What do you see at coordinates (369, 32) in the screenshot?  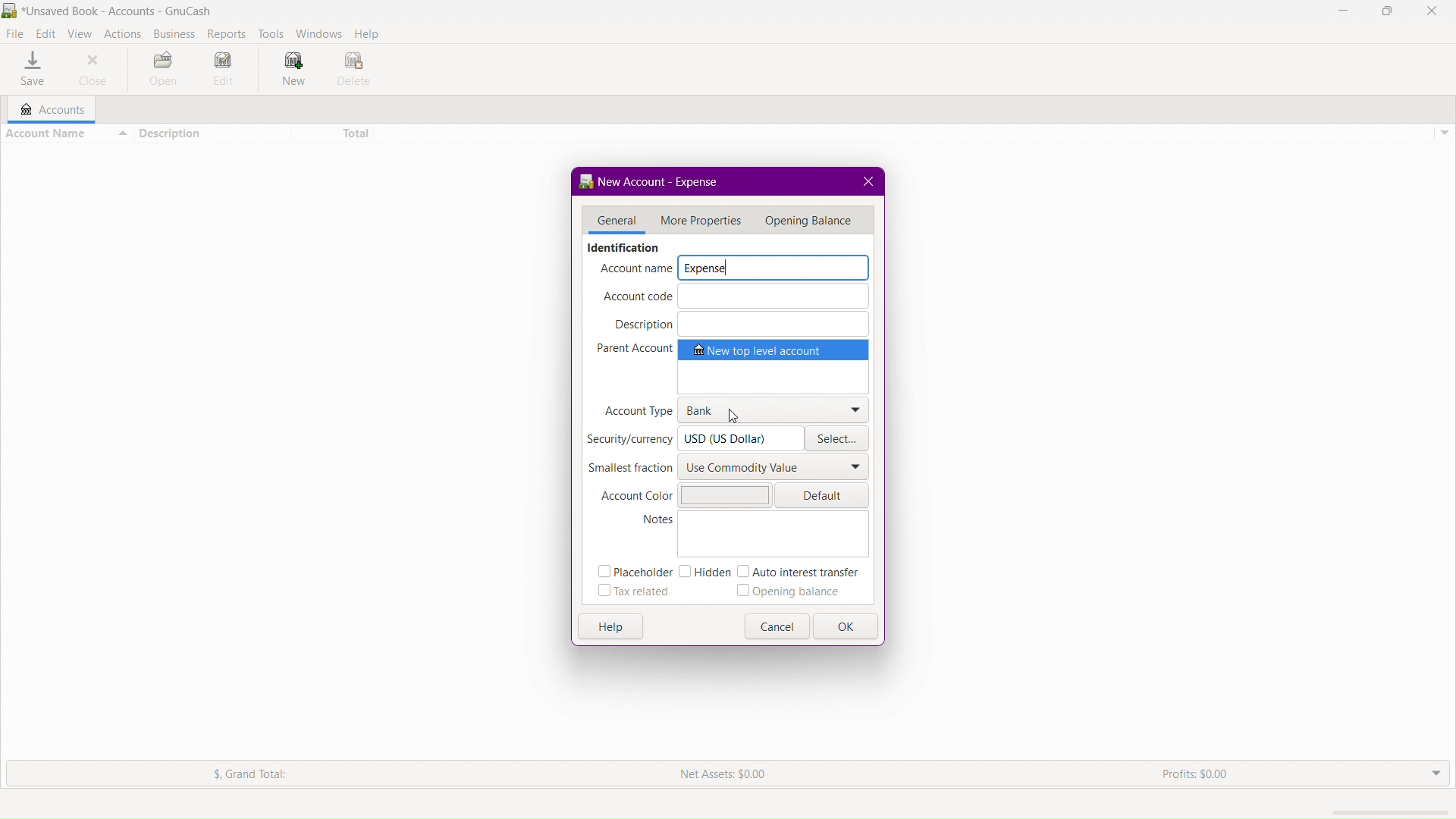 I see `Help` at bounding box center [369, 32].